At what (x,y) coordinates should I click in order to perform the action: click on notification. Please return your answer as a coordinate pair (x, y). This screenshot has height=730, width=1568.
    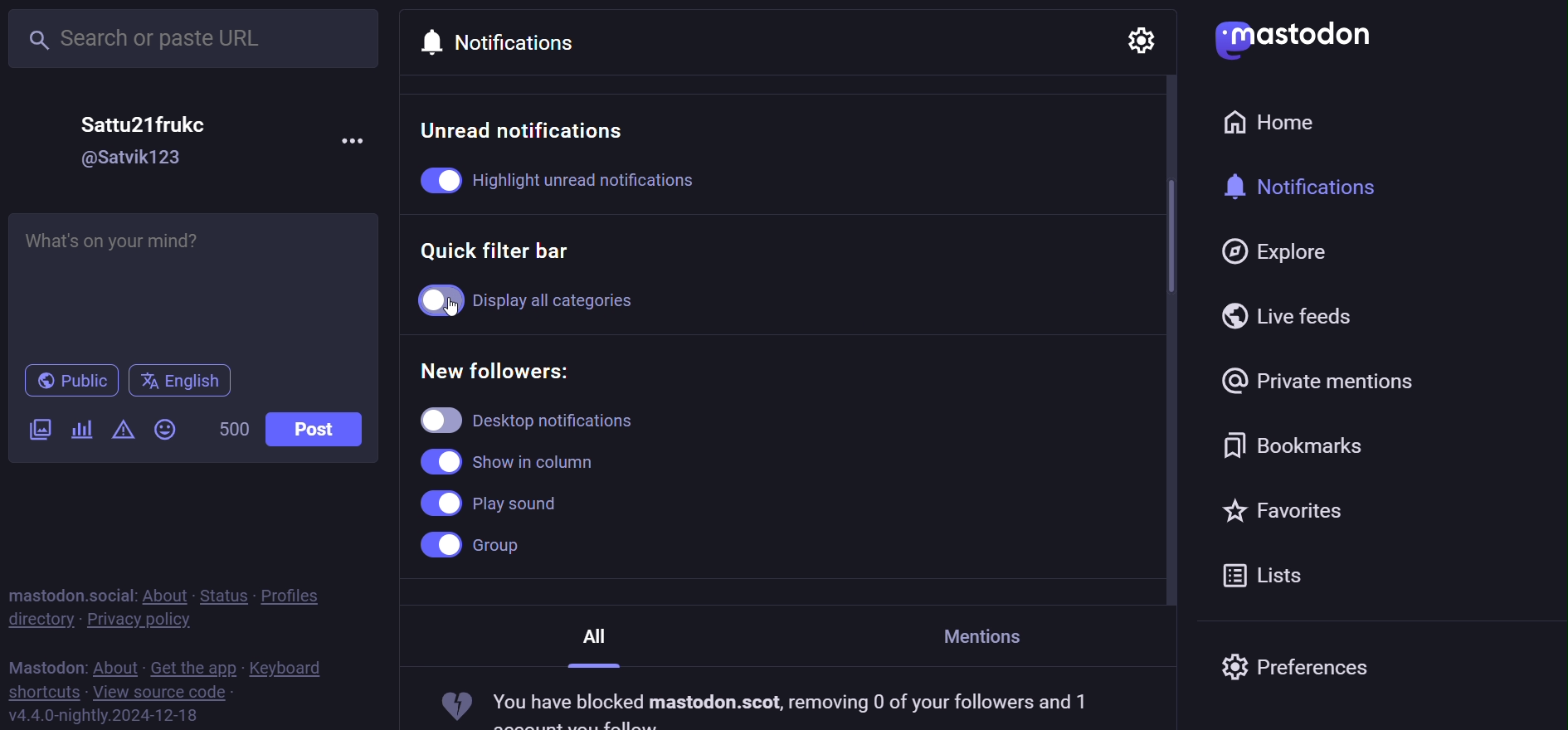
    Looking at the image, I should click on (1313, 187).